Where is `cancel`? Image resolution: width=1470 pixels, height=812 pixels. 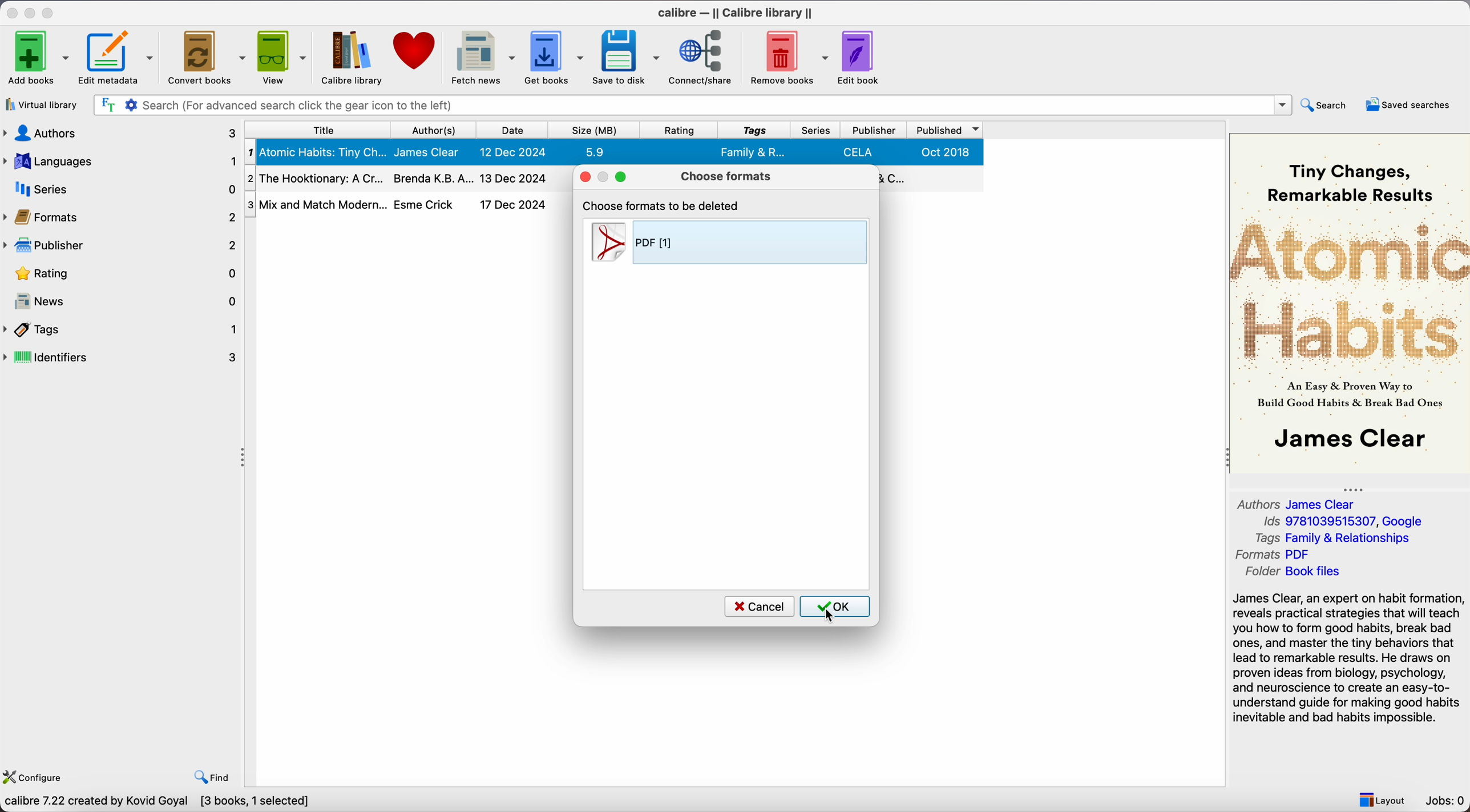 cancel is located at coordinates (761, 607).